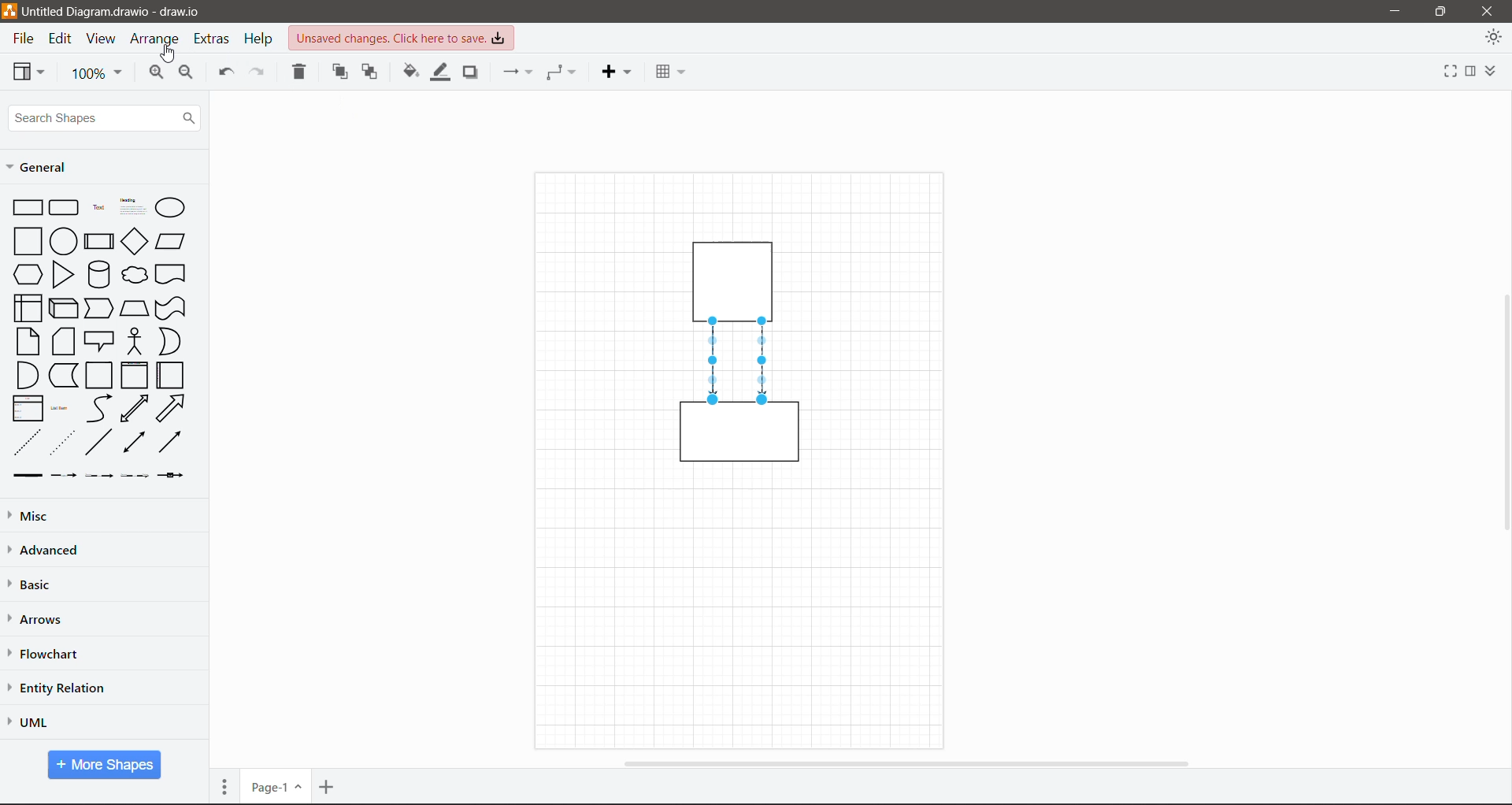  I want to click on Cylinder, so click(98, 274).